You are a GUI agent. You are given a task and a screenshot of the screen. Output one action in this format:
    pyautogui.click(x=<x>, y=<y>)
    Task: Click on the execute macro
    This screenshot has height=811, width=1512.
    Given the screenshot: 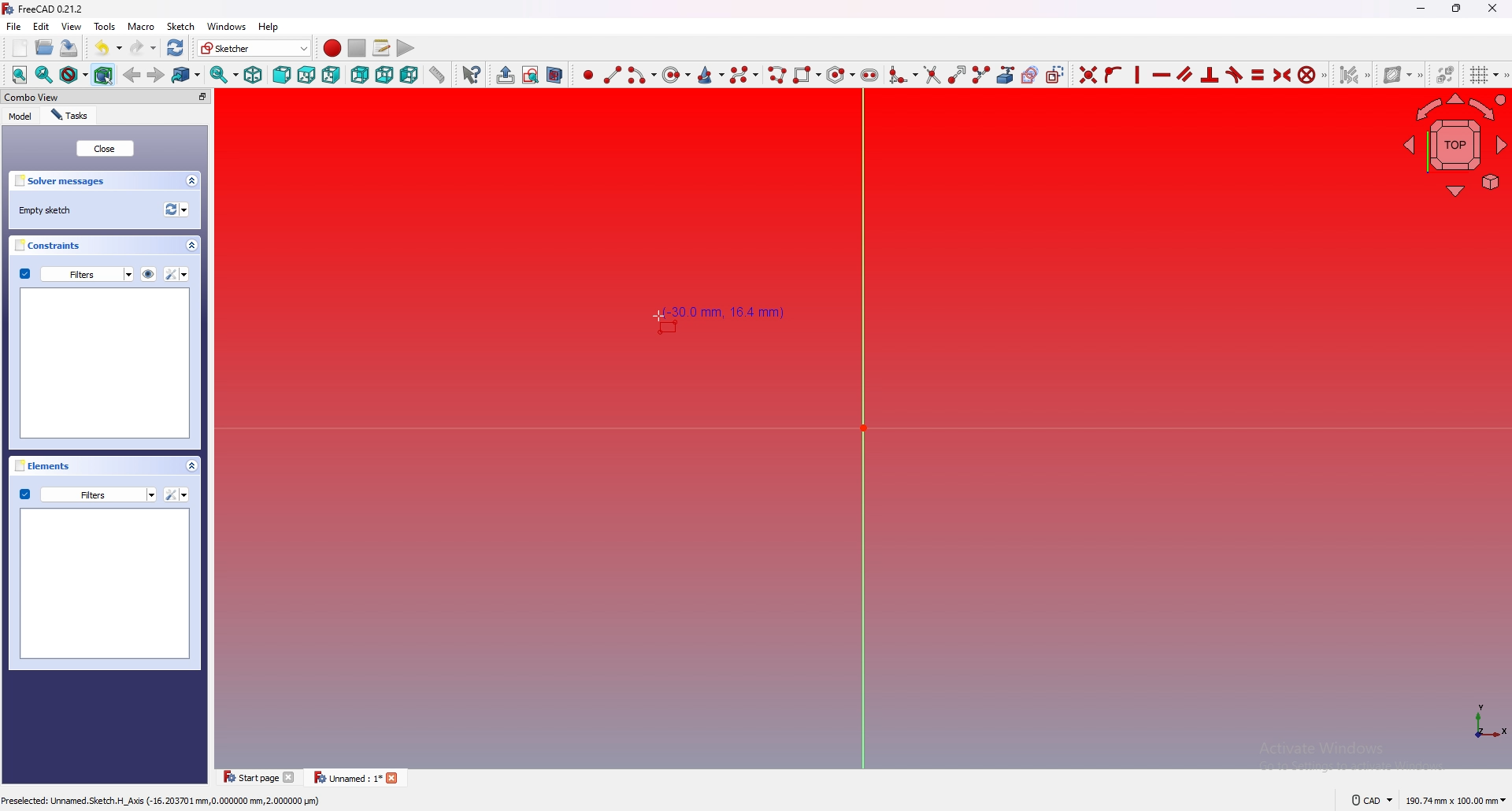 What is the action you would take?
    pyautogui.click(x=406, y=48)
    